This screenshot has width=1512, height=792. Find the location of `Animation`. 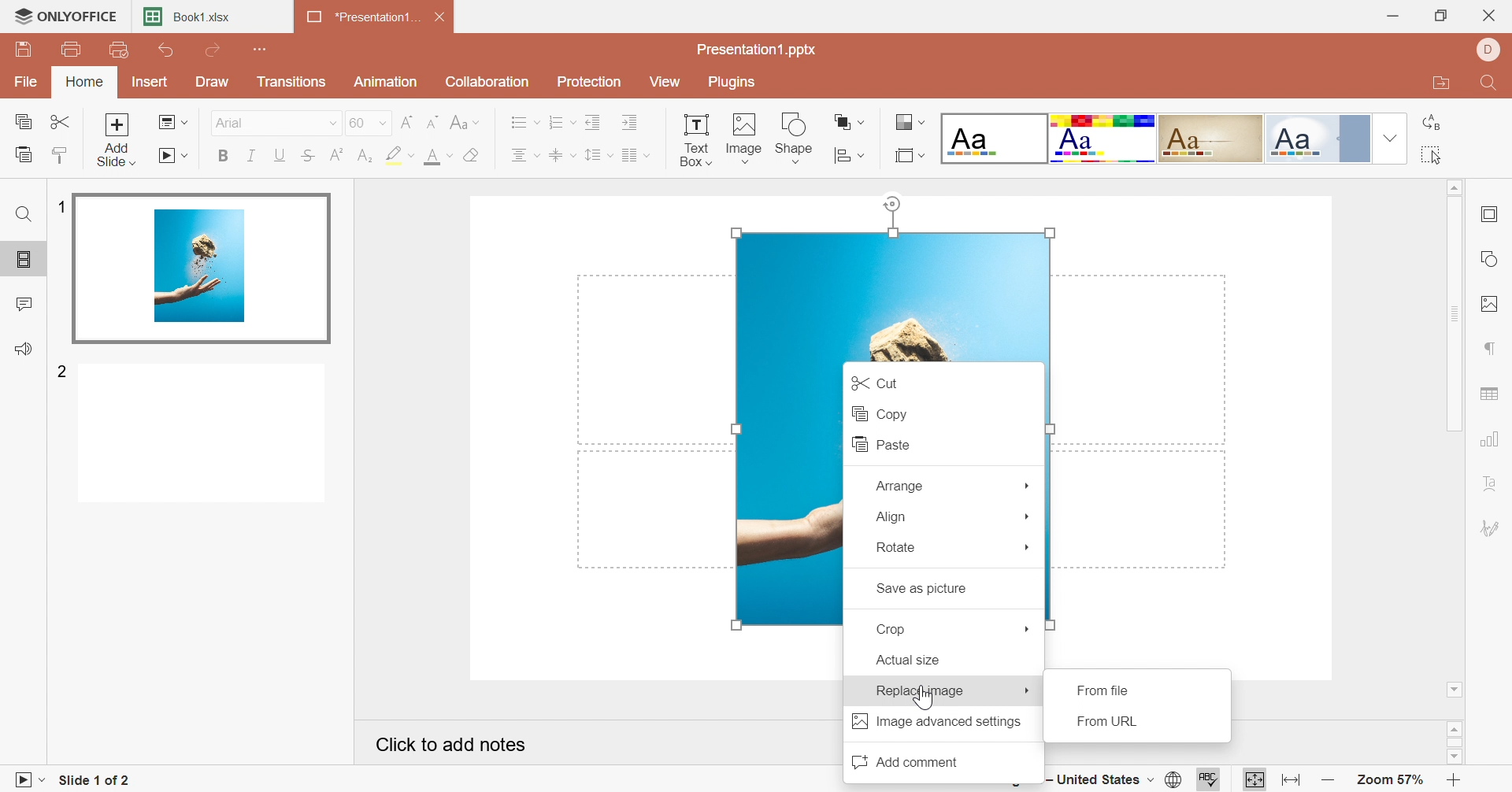

Animation is located at coordinates (386, 82).